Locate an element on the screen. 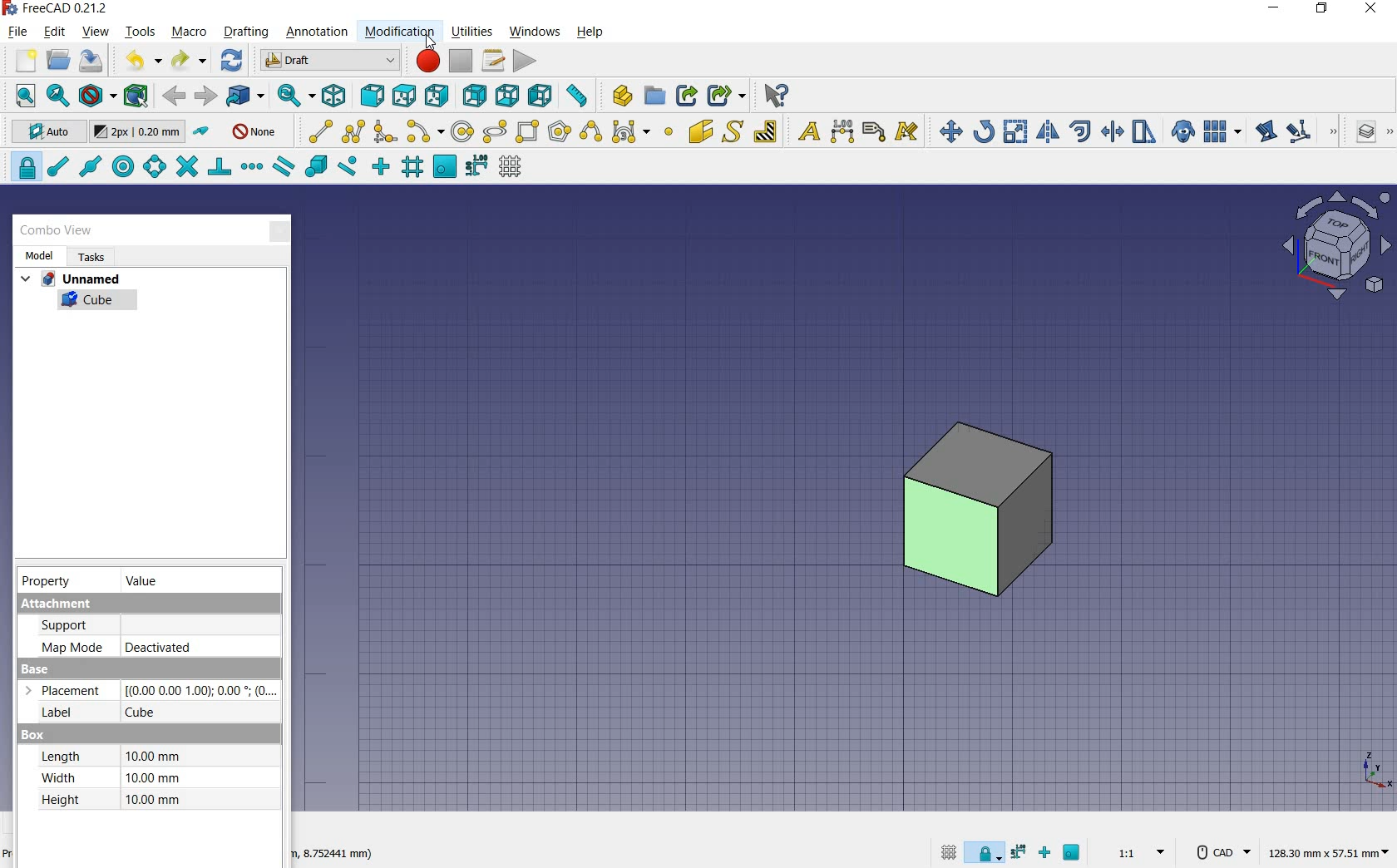 The height and width of the screenshot is (868, 1397). go to linked objects is located at coordinates (244, 96).